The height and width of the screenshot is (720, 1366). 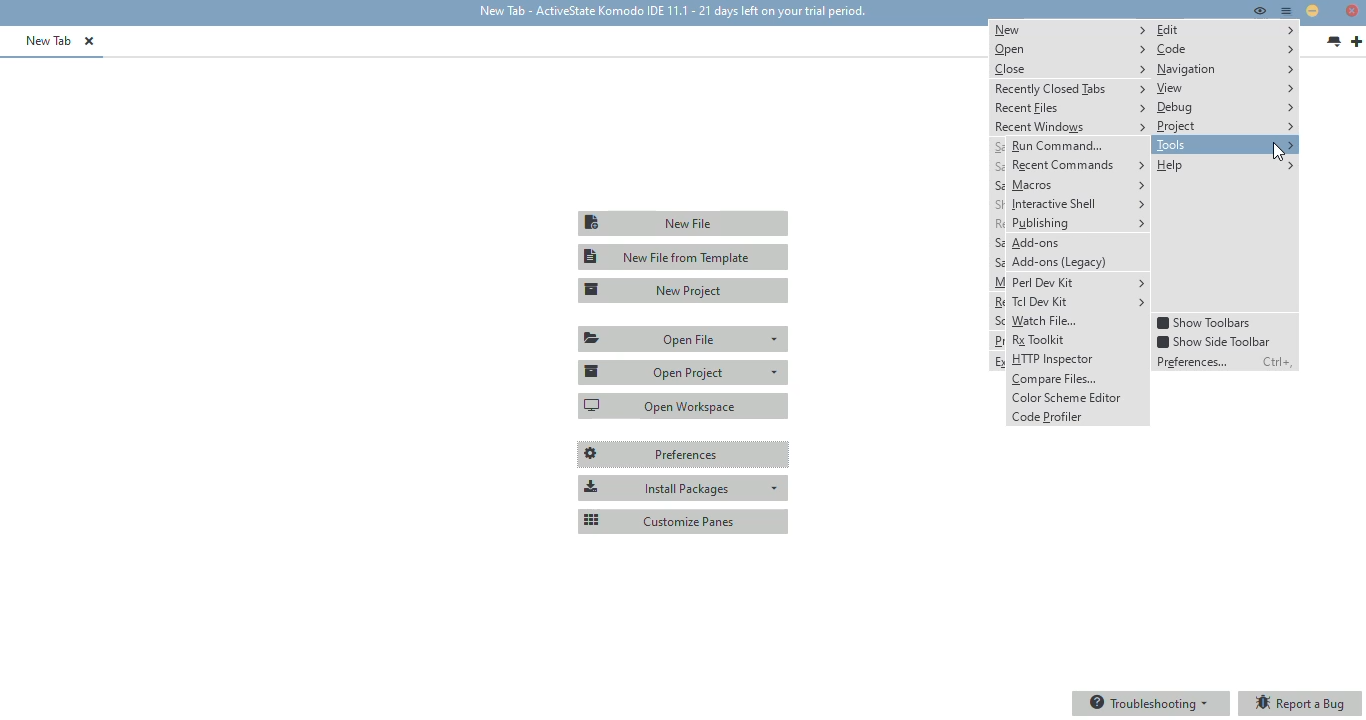 I want to click on Color scheme editor, so click(x=1077, y=400).